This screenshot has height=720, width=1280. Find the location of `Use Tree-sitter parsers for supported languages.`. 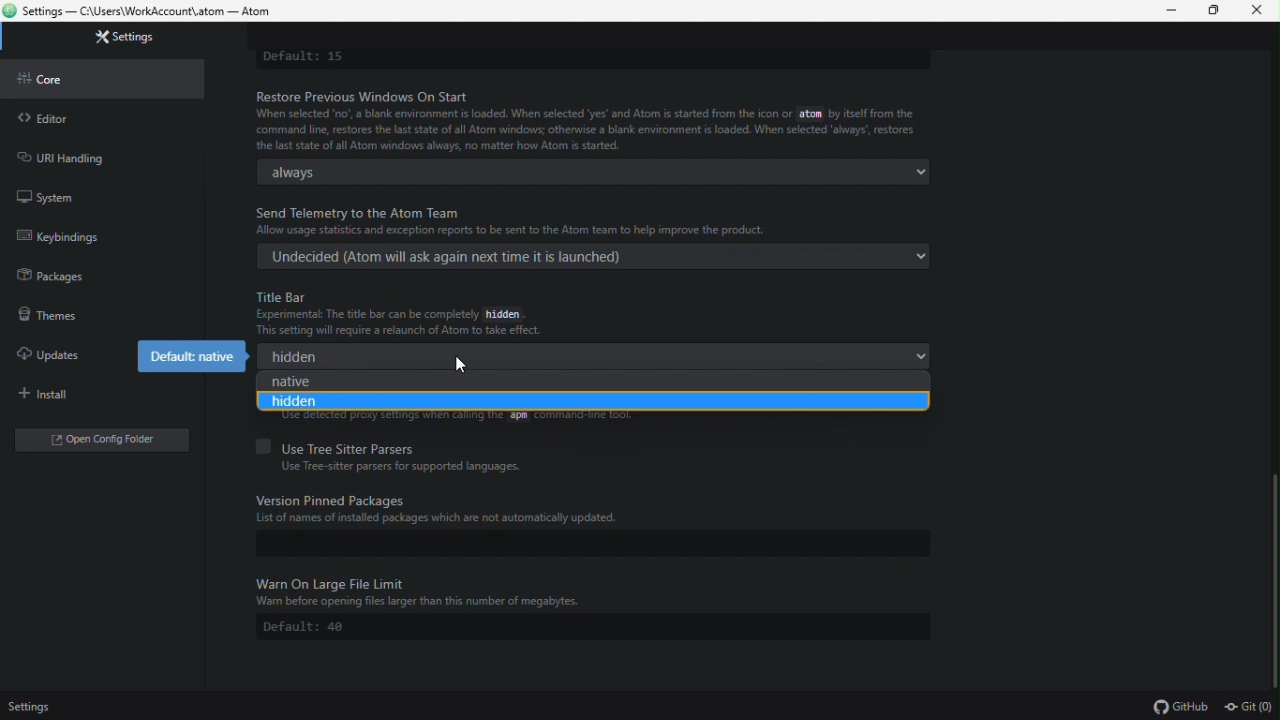

Use Tree-sitter parsers for supported languages. is located at coordinates (402, 467).